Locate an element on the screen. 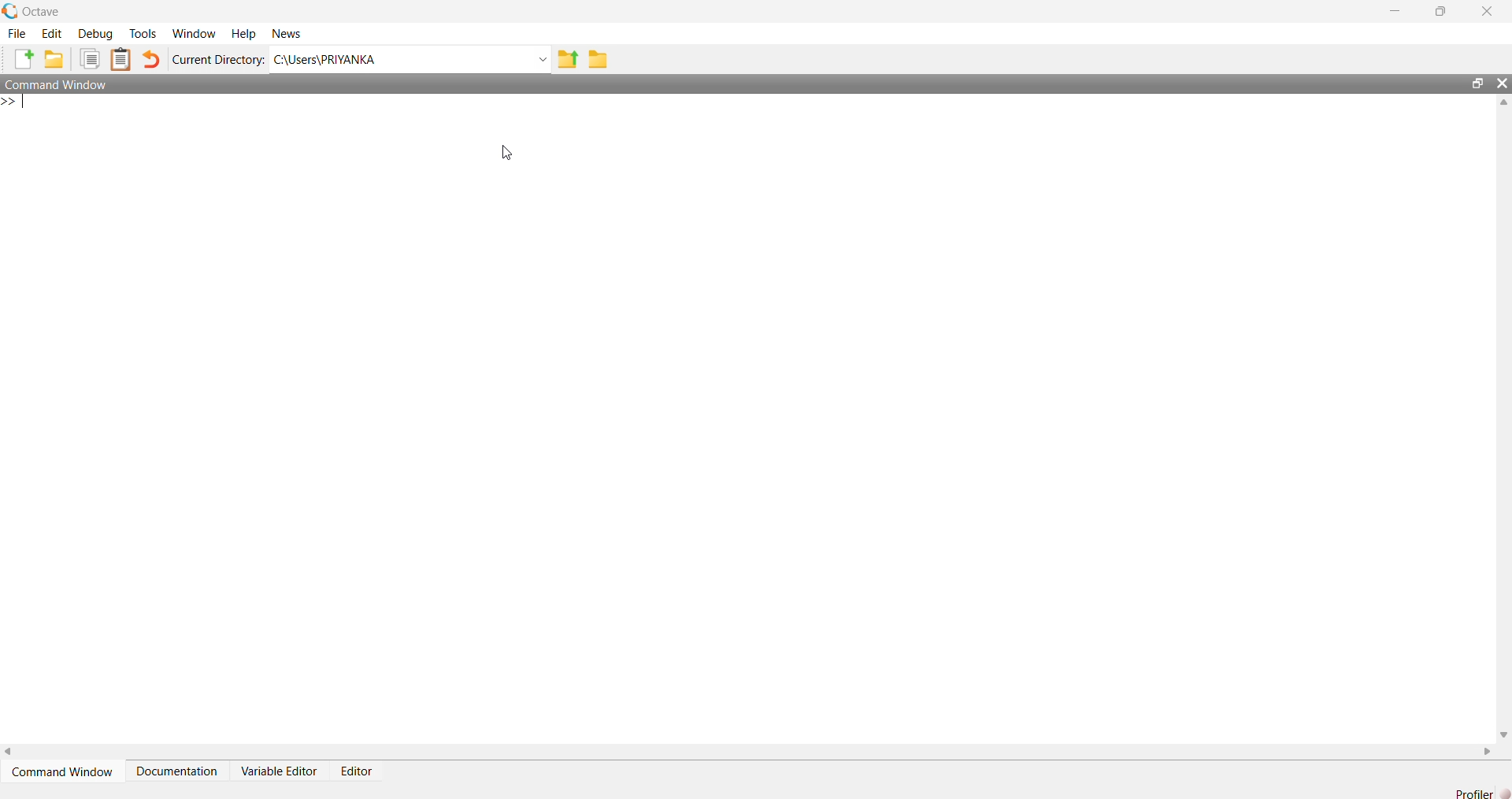  Maximize is located at coordinates (1437, 11).